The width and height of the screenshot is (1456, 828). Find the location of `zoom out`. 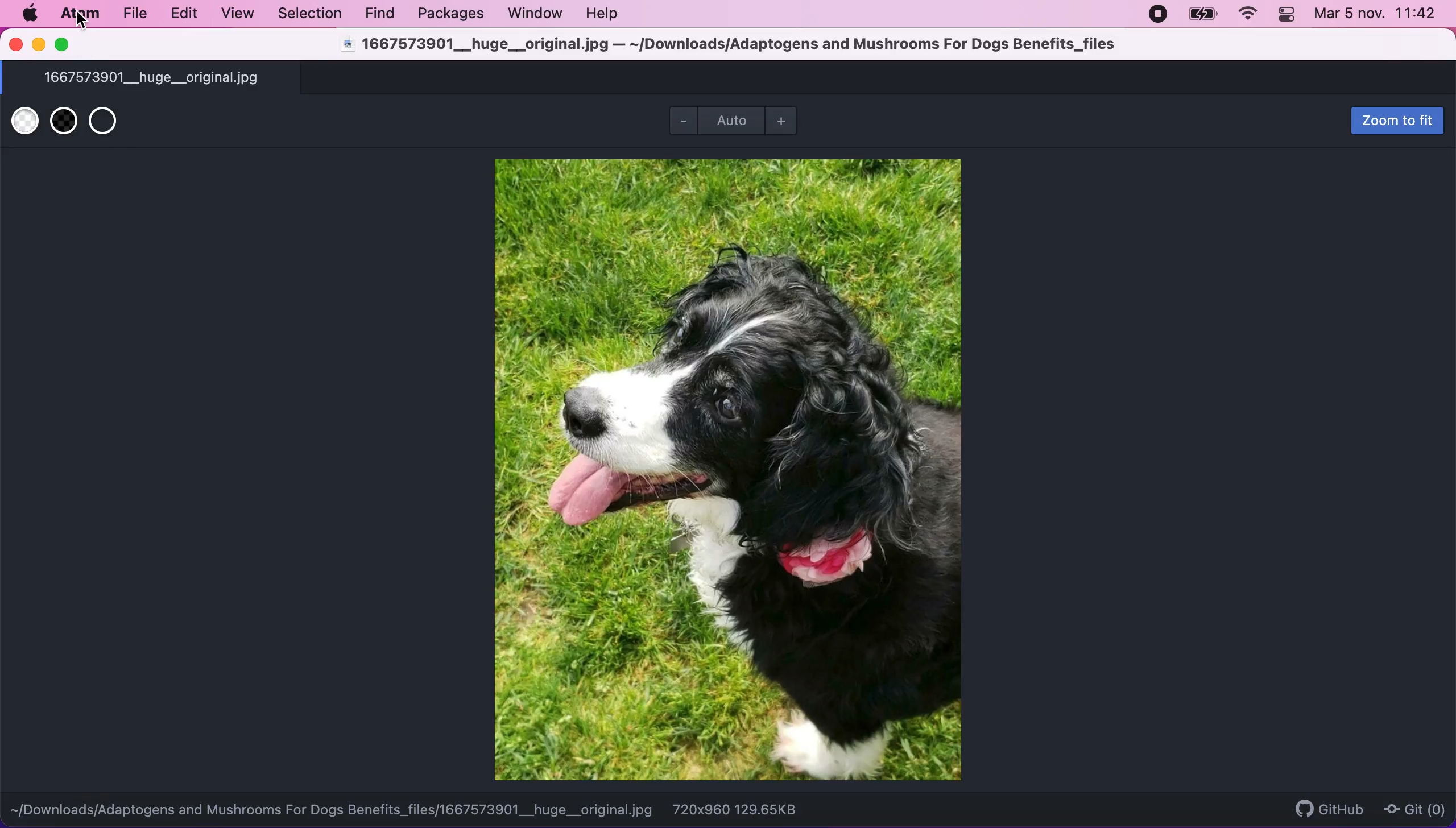

zoom out is located at coordinates (679, 119).